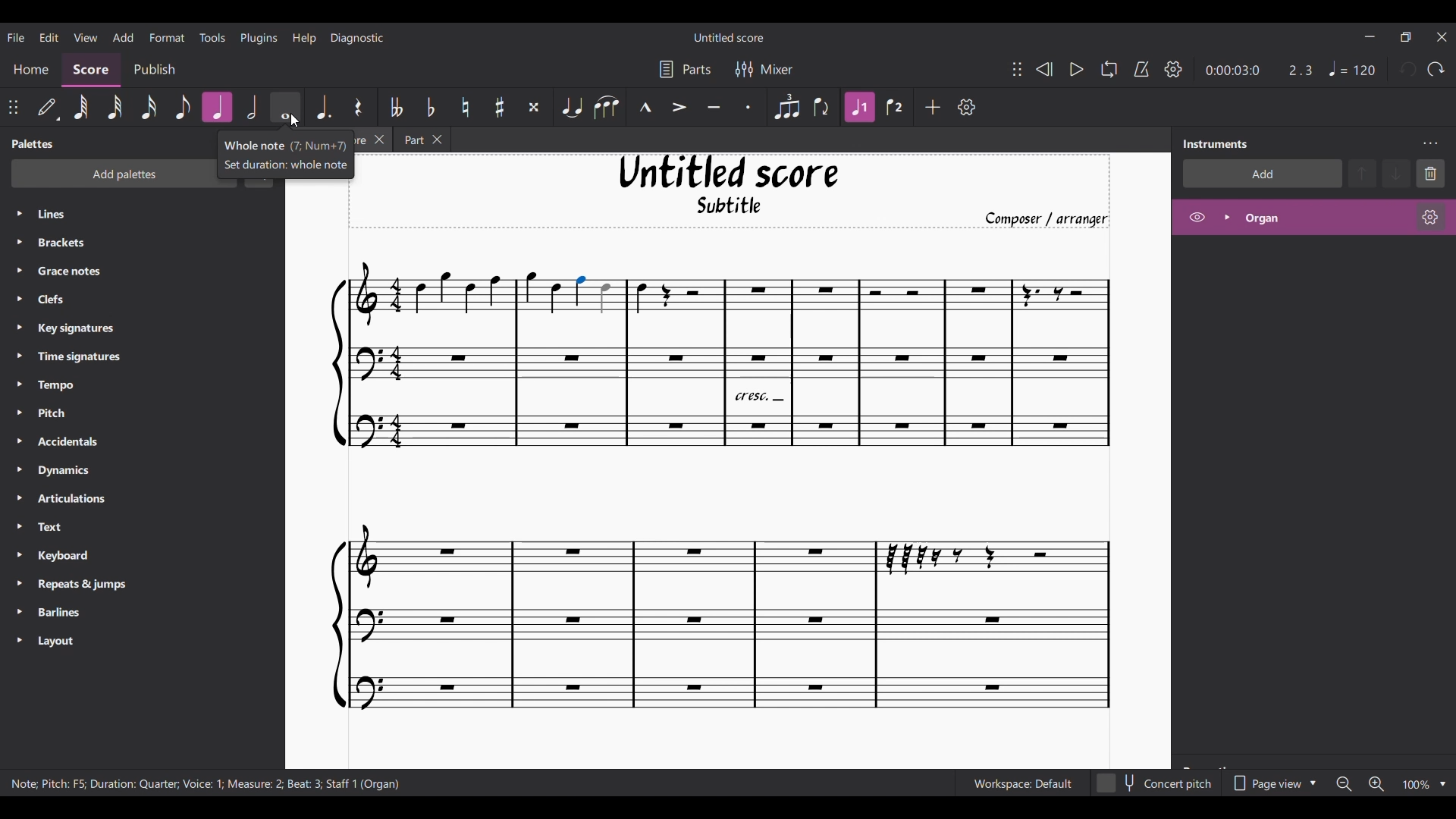 This screenshot has height=819, width=1456. Describe the element at coordinates (205, 784) in the screenshot. I see `Description of current selection` at that location.